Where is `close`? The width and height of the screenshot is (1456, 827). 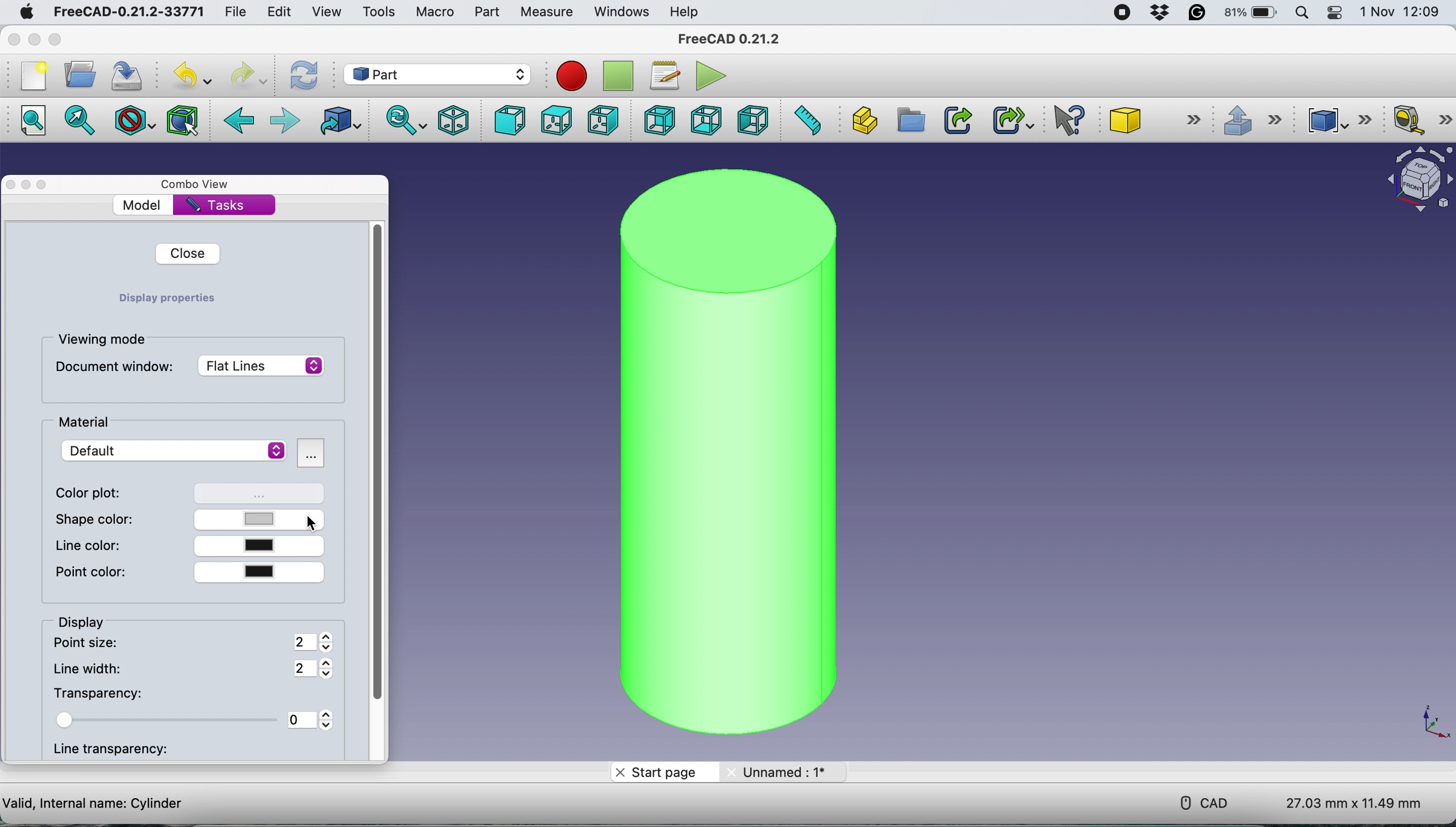 close is located at coordinates (187, 255).